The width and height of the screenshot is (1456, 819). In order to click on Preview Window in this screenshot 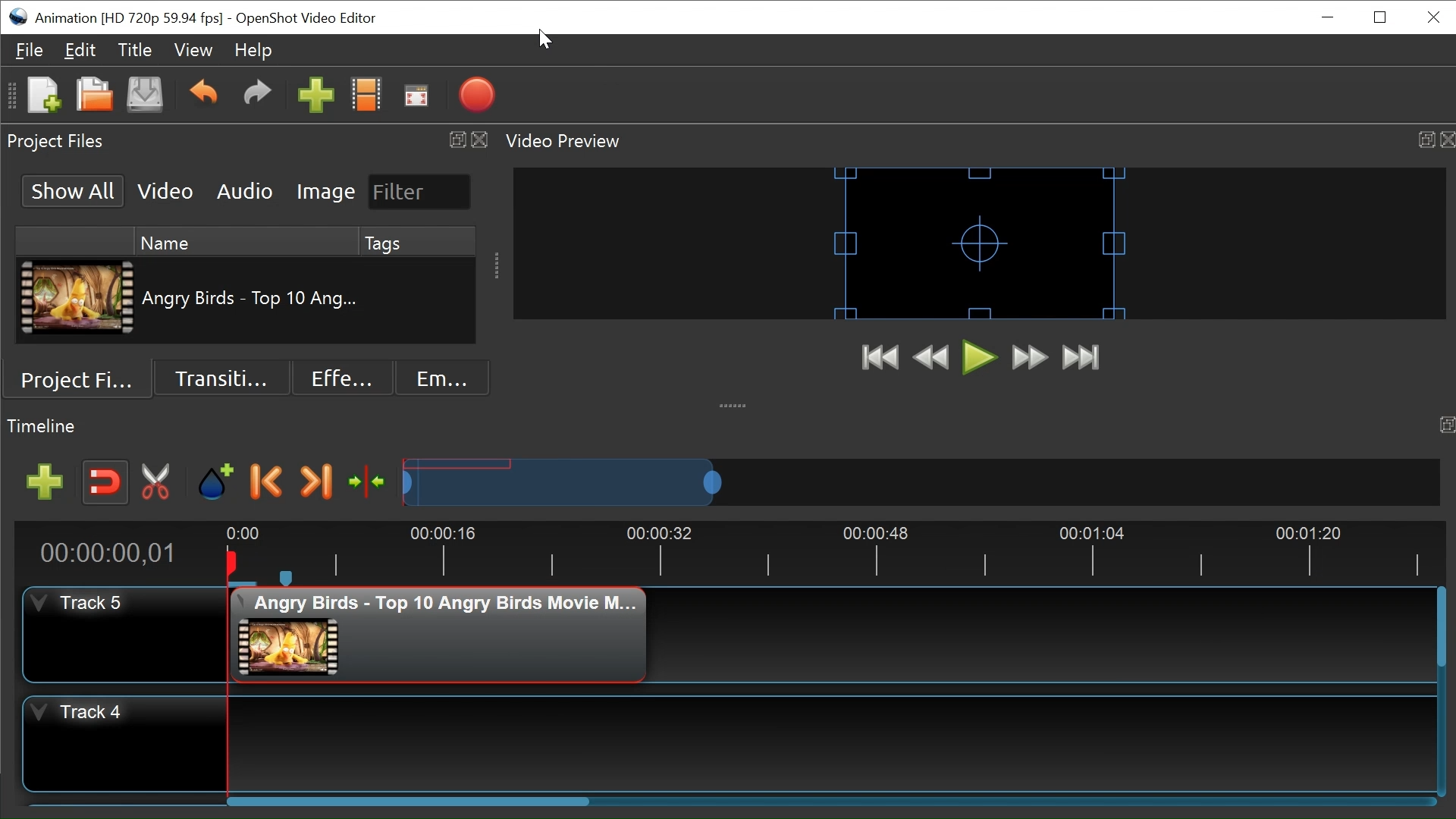, I will do `click(981, 243)`.